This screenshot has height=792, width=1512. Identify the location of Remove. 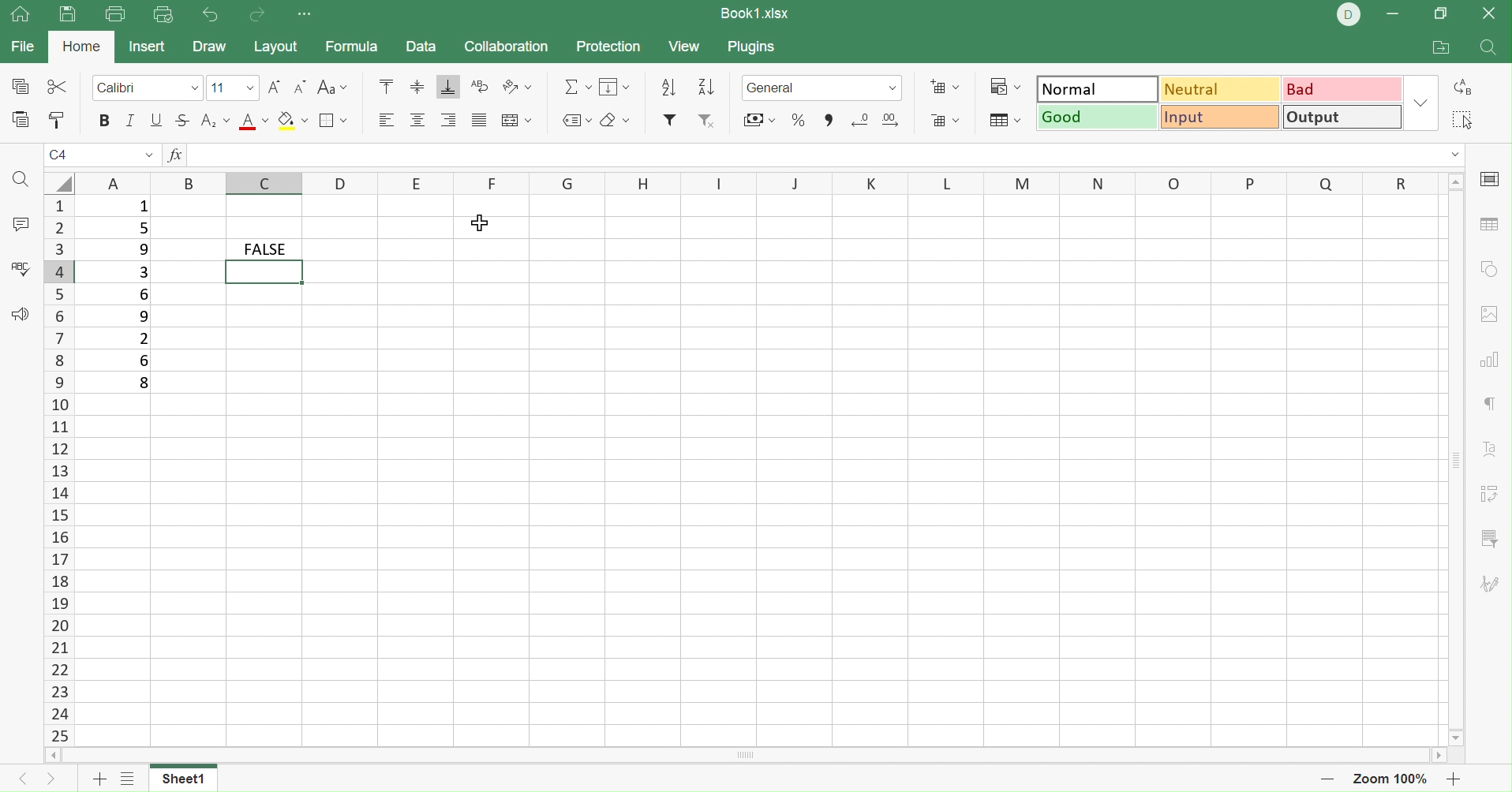
(706, 121).